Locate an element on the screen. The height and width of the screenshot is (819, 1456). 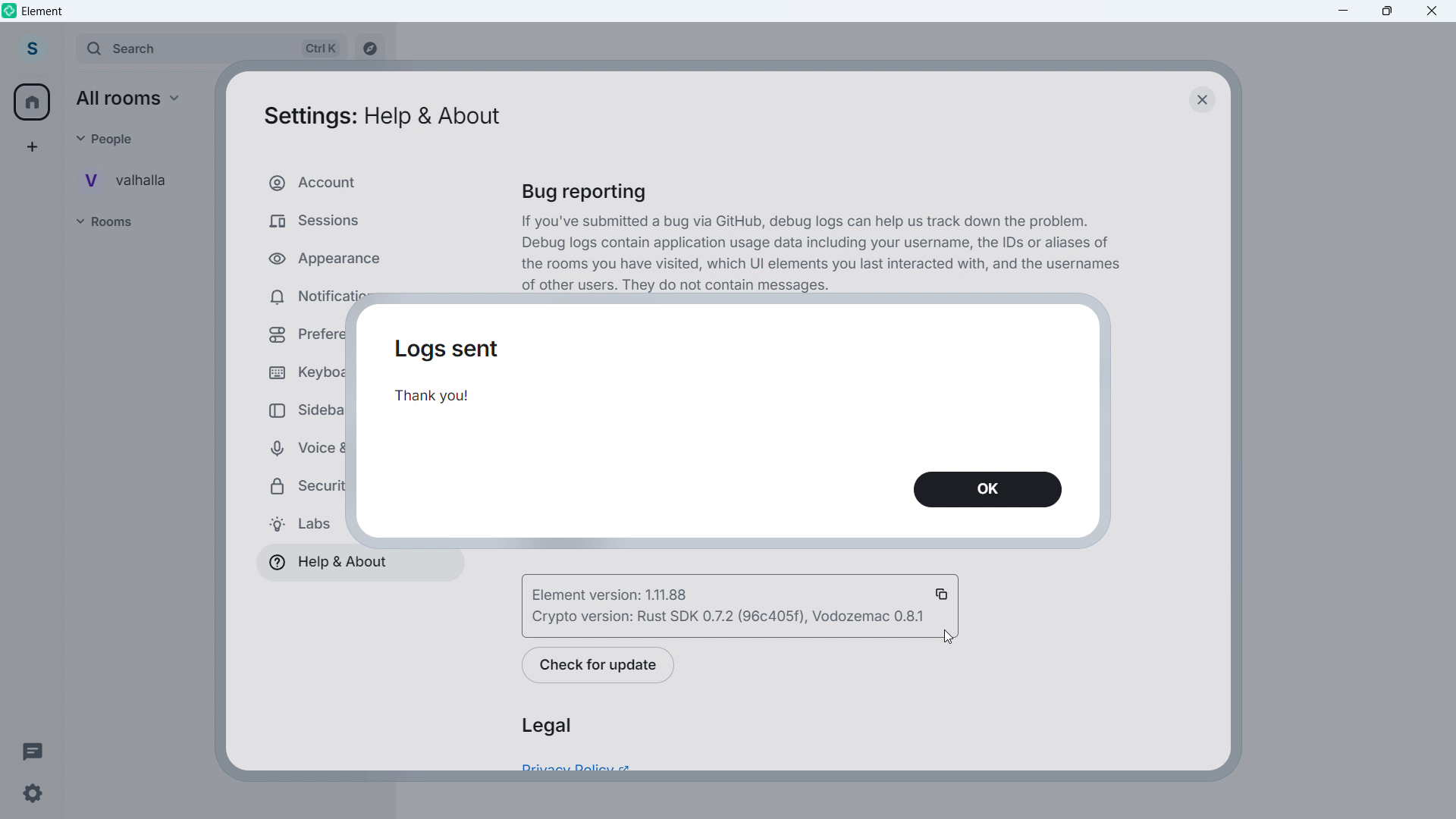
Appearance  is located at coordinates (346, 255).